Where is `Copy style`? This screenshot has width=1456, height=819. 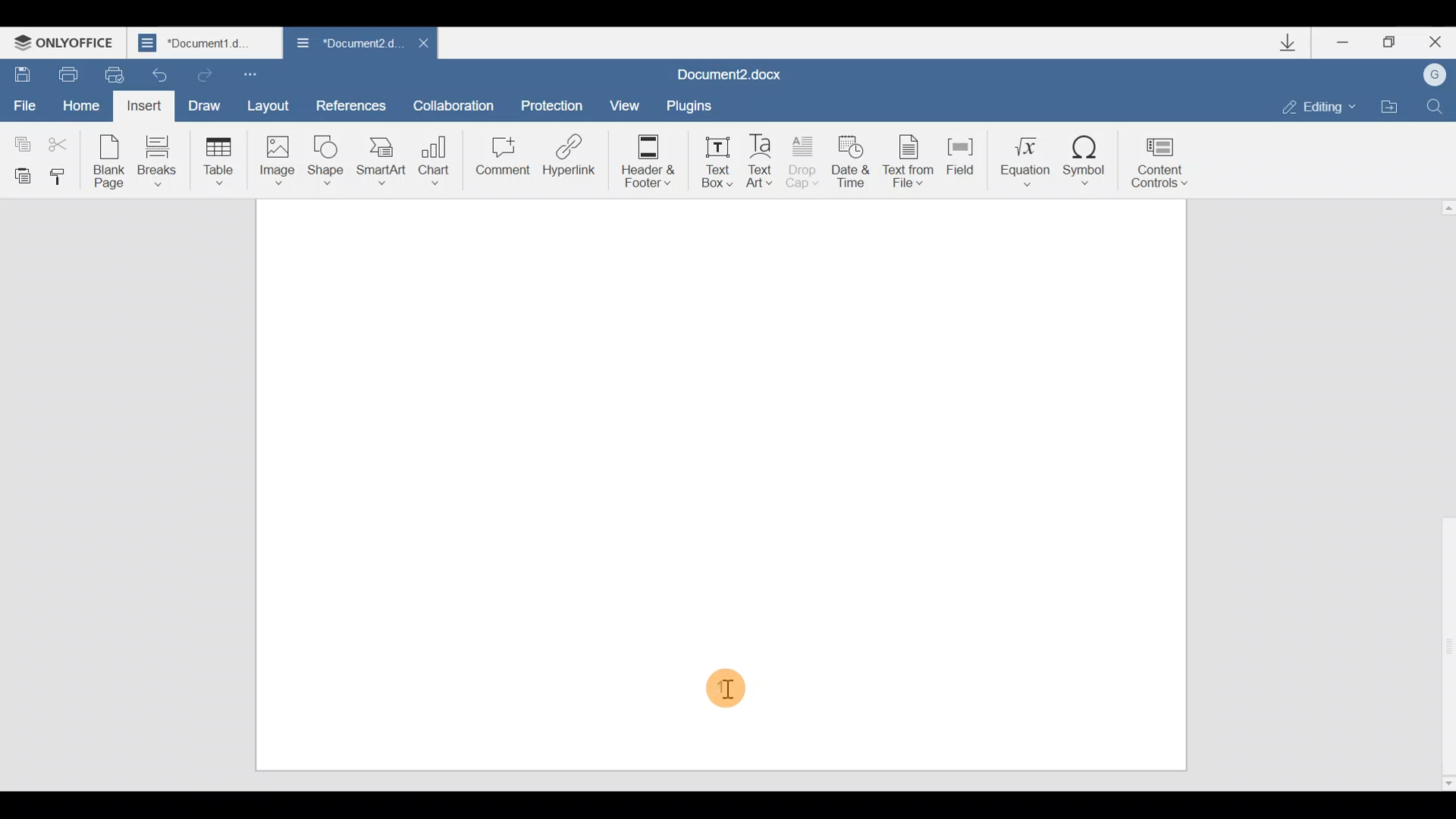 Copy style is located at coordinates (64, 176).